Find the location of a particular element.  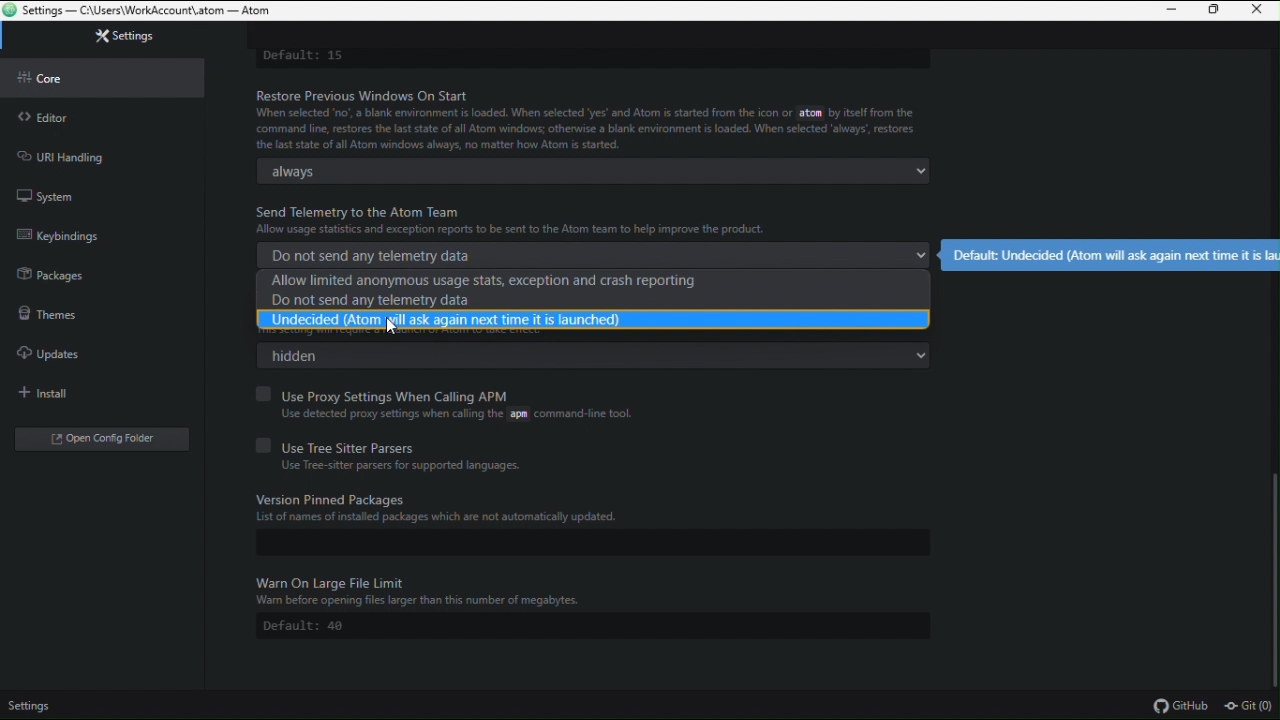

do not send any telemetry data is located at coordinates (597, 300).